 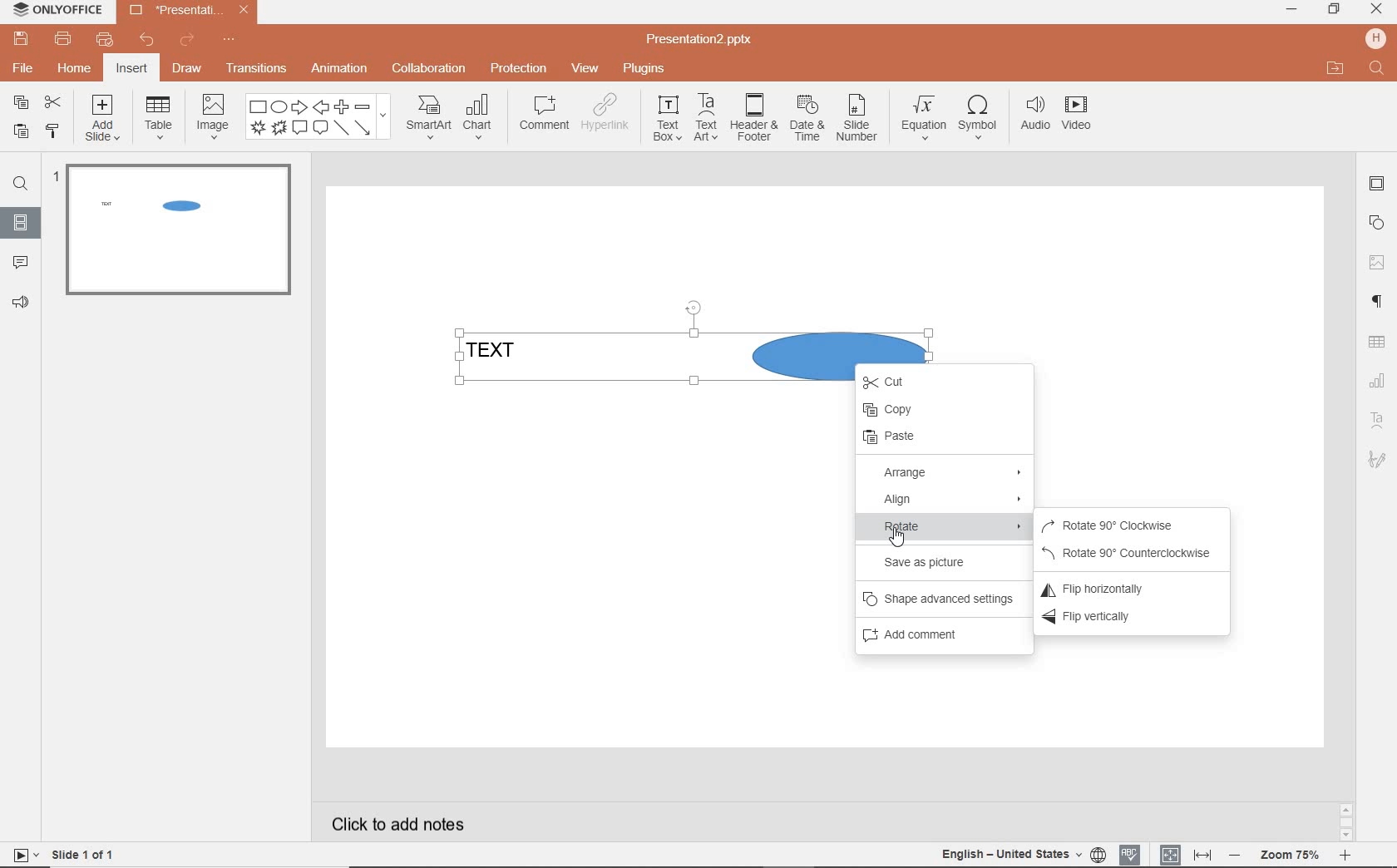 I want to click on CLICK TO ADD NOTES, so click(x=402, y=822).